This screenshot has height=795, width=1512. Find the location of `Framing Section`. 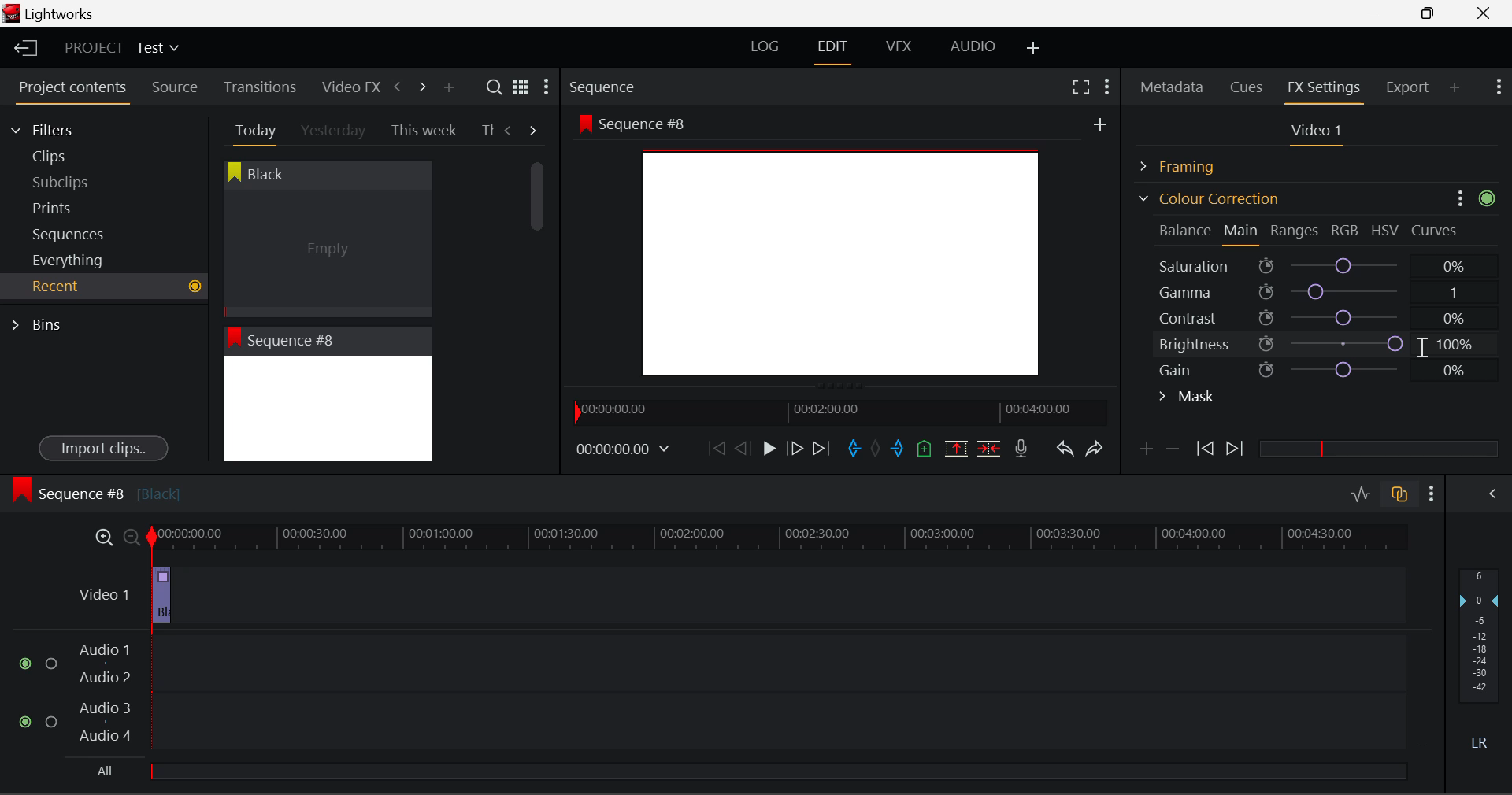

Framing Section is located at coordinates (1190, 164).